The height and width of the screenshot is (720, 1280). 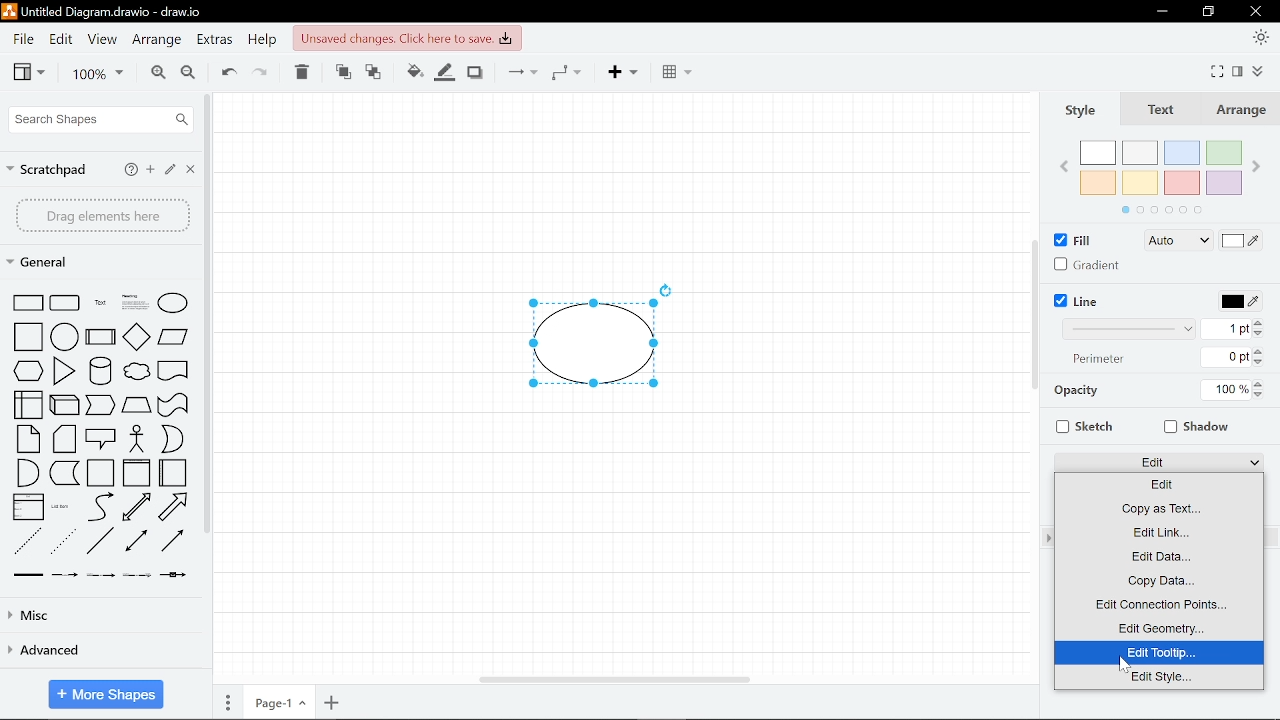 I want to click on Gradiant, so click(x=1088, y=264).